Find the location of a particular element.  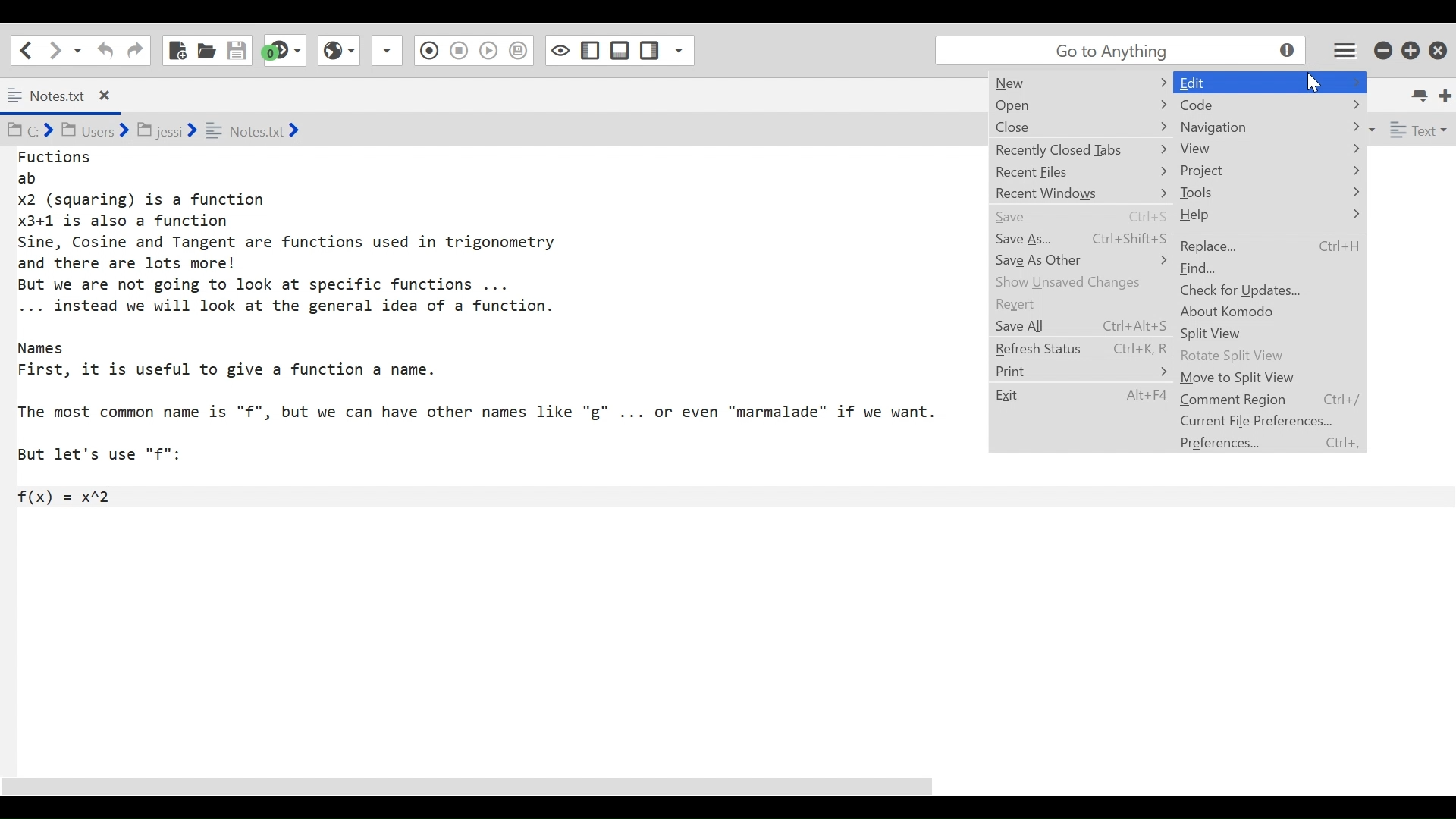

open is located at coordinates (1040, 105).